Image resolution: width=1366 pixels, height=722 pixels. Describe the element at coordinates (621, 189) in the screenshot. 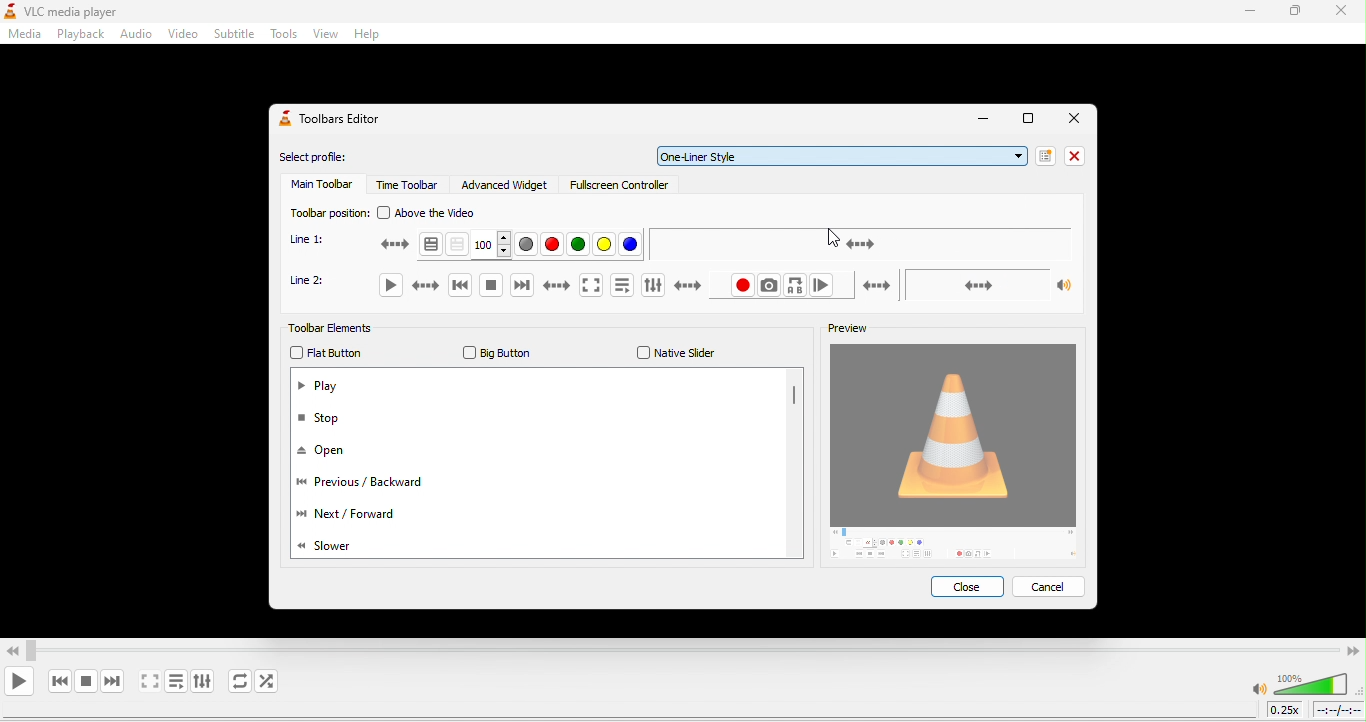

I see `fullscreen controller` at that location.